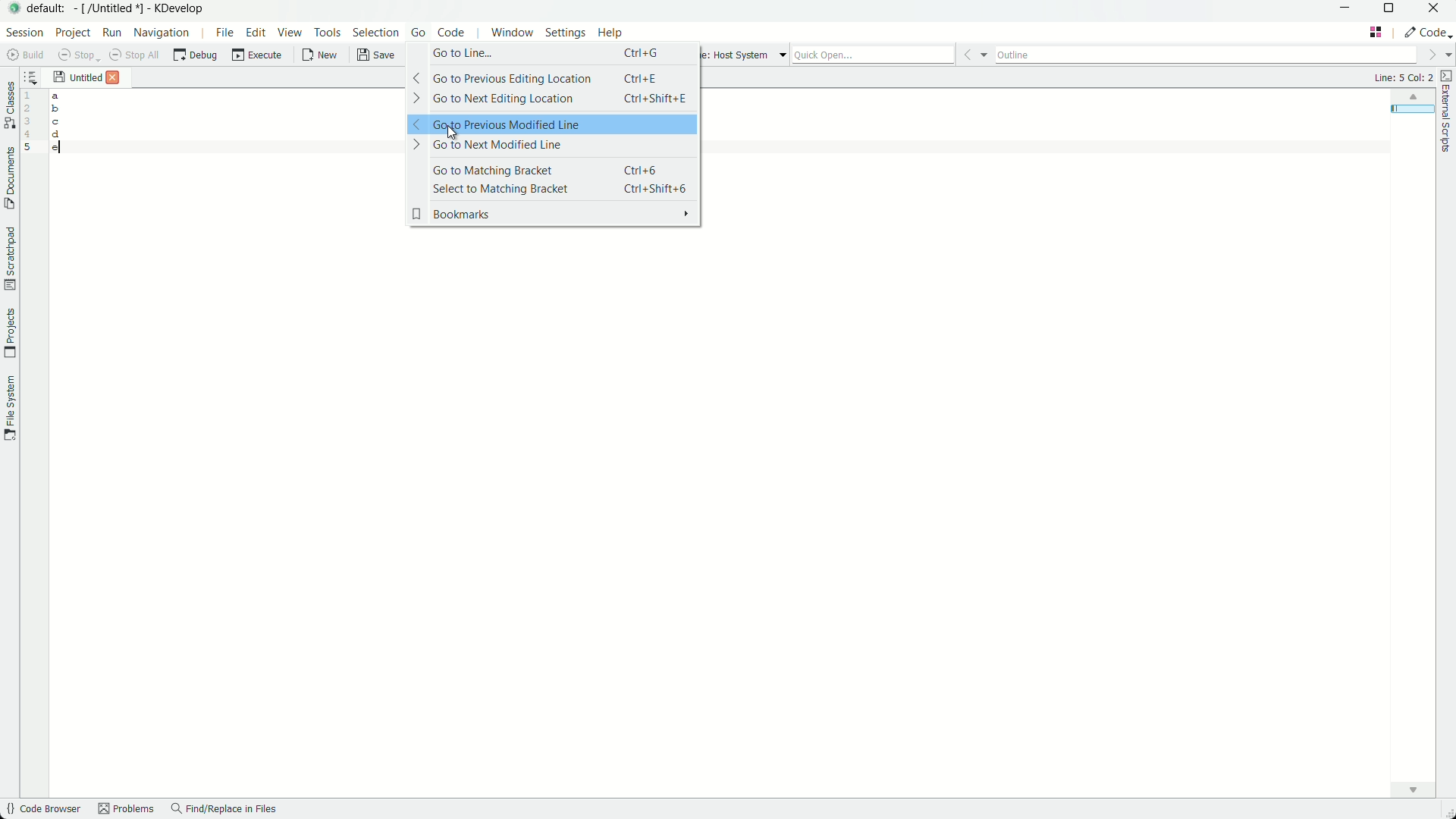 The width and height of the screenshot is (1456, 819). Describe the element at coordinates (553, 215) in the screenshot. I see `bookmarks` at that location.